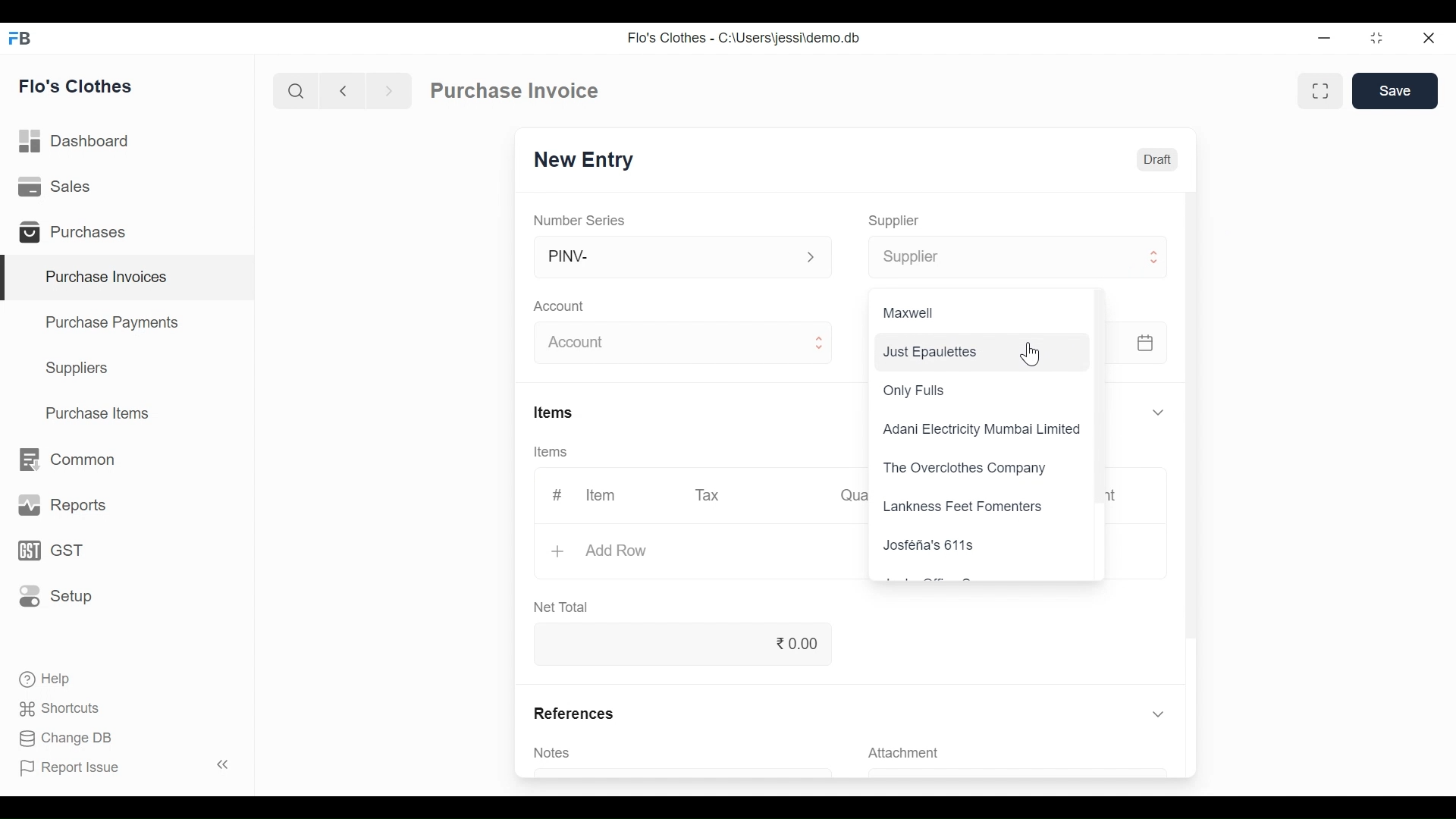  What do you see at coordinates (80, 370) in the screenshot?
I see `Suppliers` at bounding box center [80, 370].